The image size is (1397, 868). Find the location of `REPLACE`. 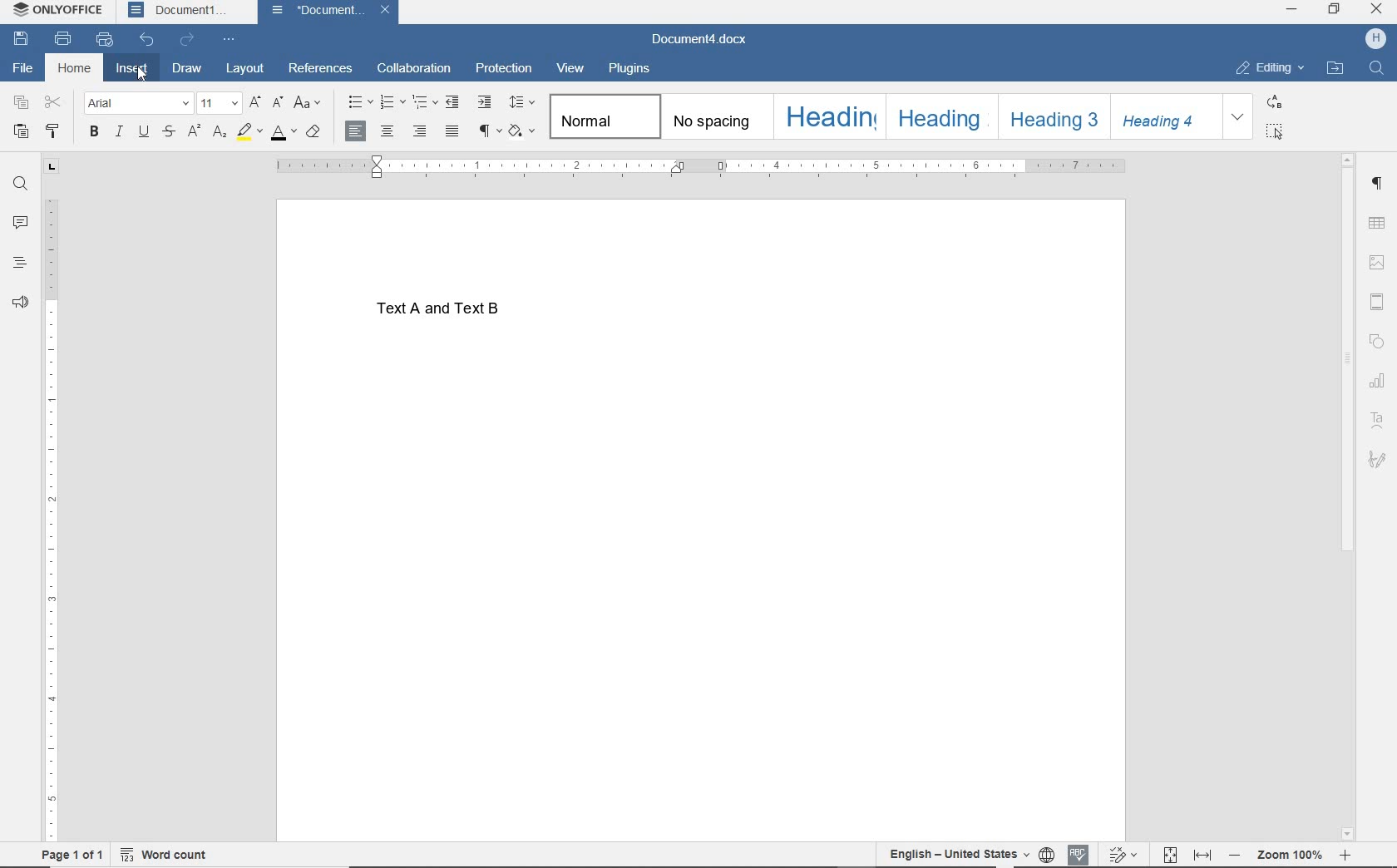

REPLACE is located at coordinates (1273, 101).